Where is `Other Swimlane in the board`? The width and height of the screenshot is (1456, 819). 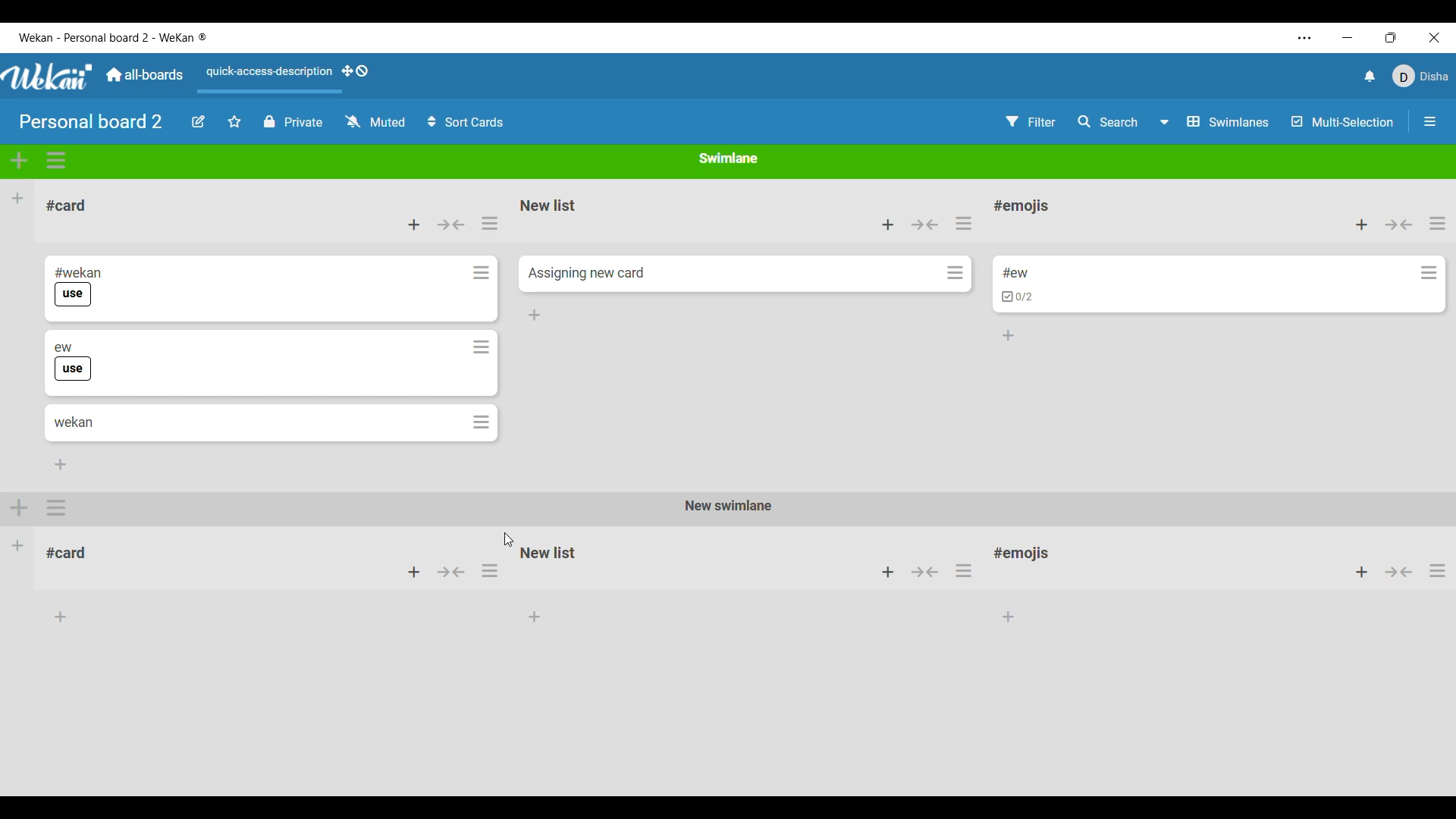 Other Swimlane in the board is located at coordinates (19, 549).